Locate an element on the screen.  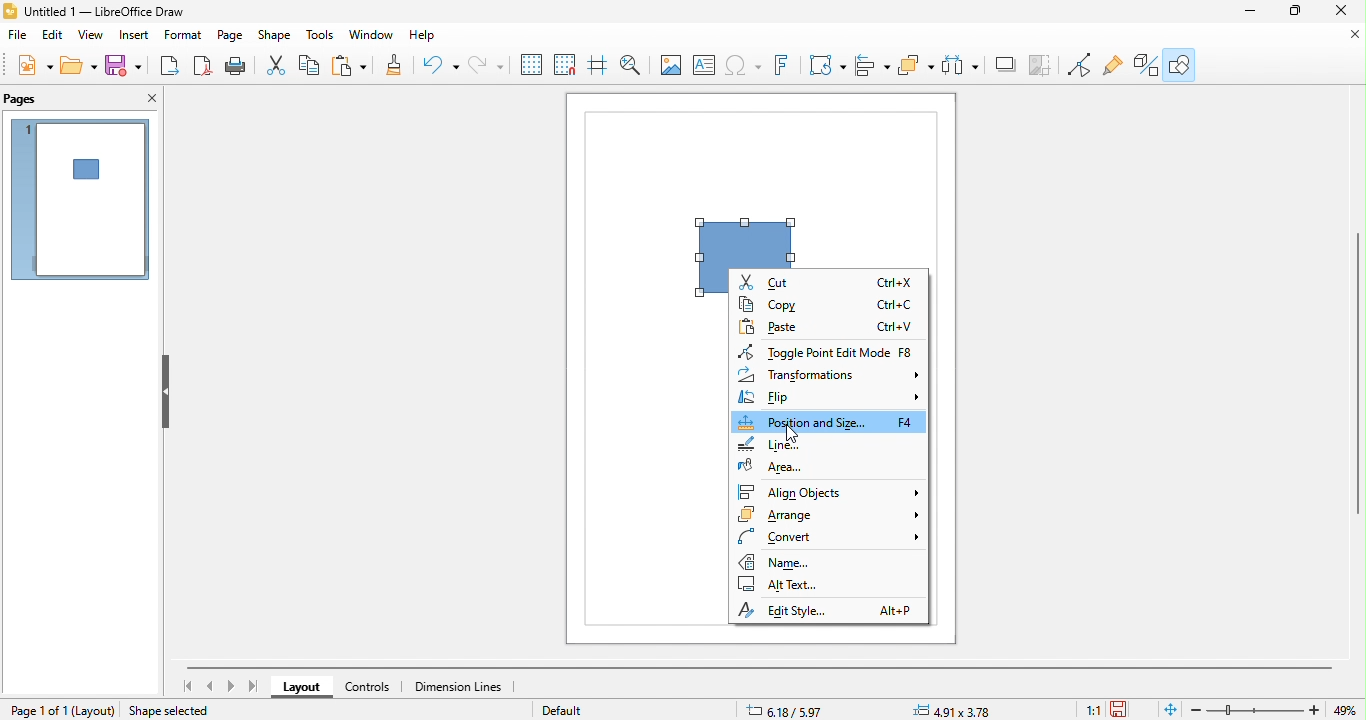
paste is located at coordinates (353, 66).